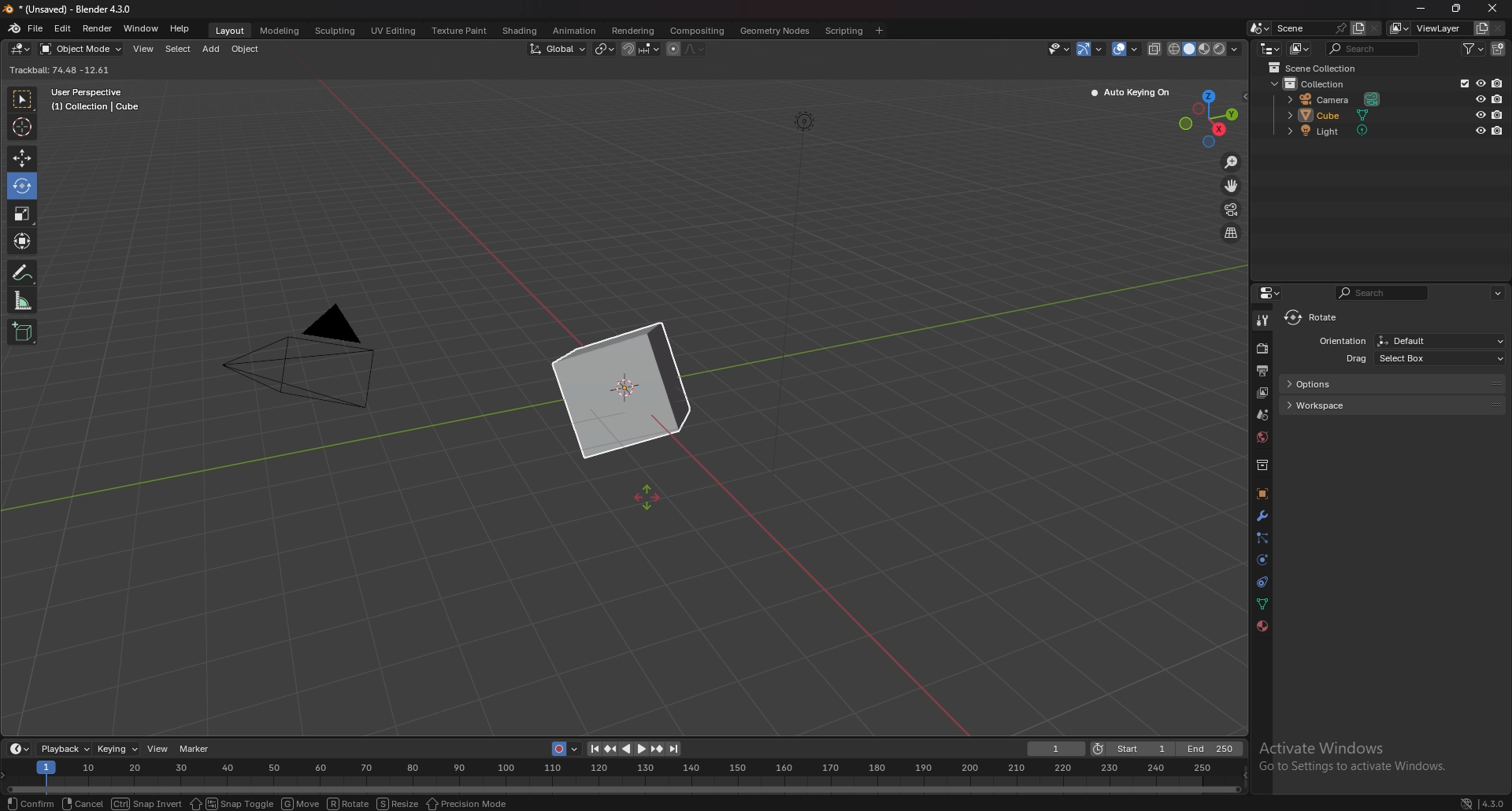 The width and height of the screenshot is (1512, 811). What do you see at coordinates (1263, 581) in the screenshot?
I see `constraints` at bounding box center [1263, 581].